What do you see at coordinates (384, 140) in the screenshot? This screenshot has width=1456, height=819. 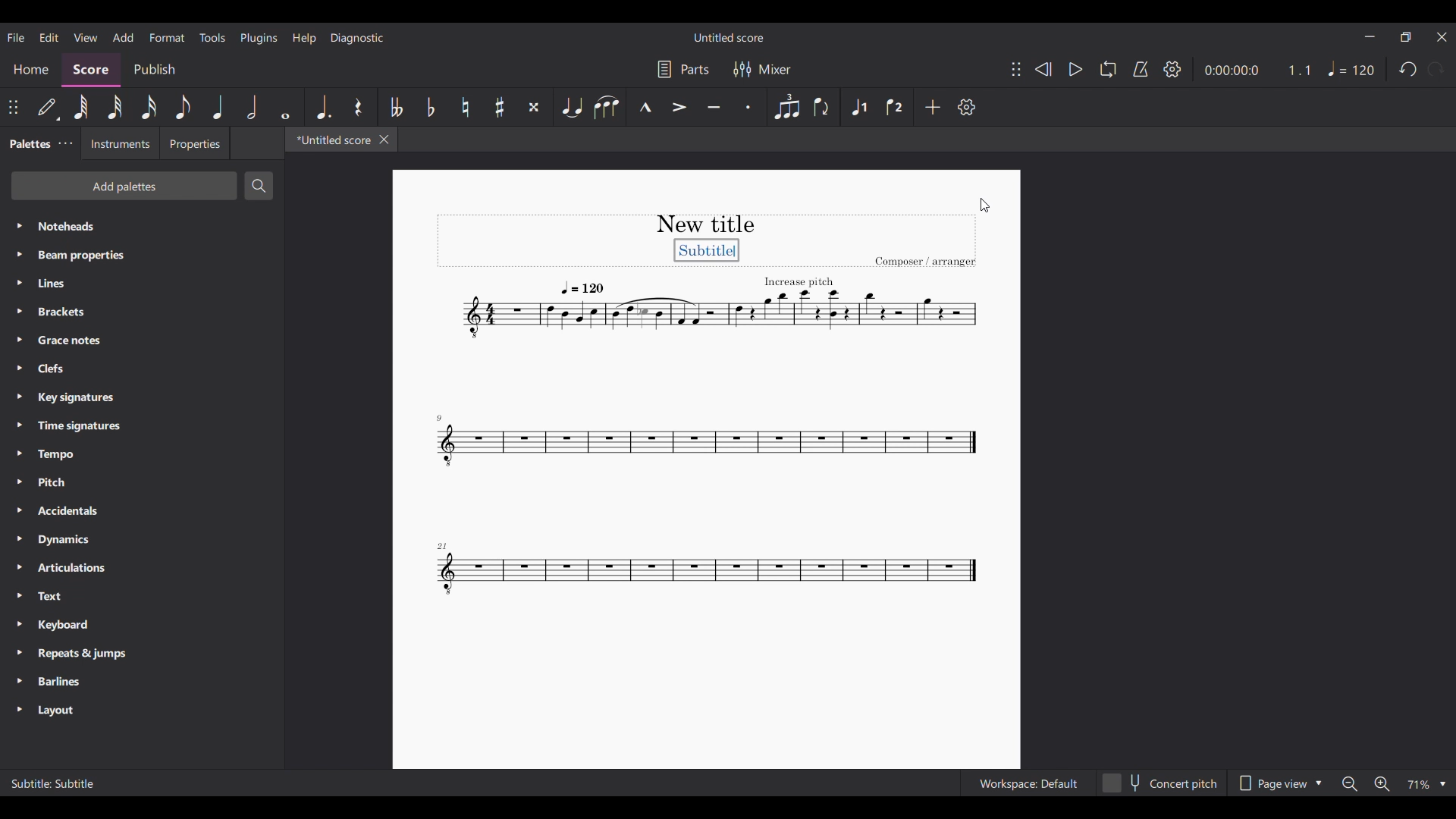 I see `Close tab` at bounding box center [384, 140].